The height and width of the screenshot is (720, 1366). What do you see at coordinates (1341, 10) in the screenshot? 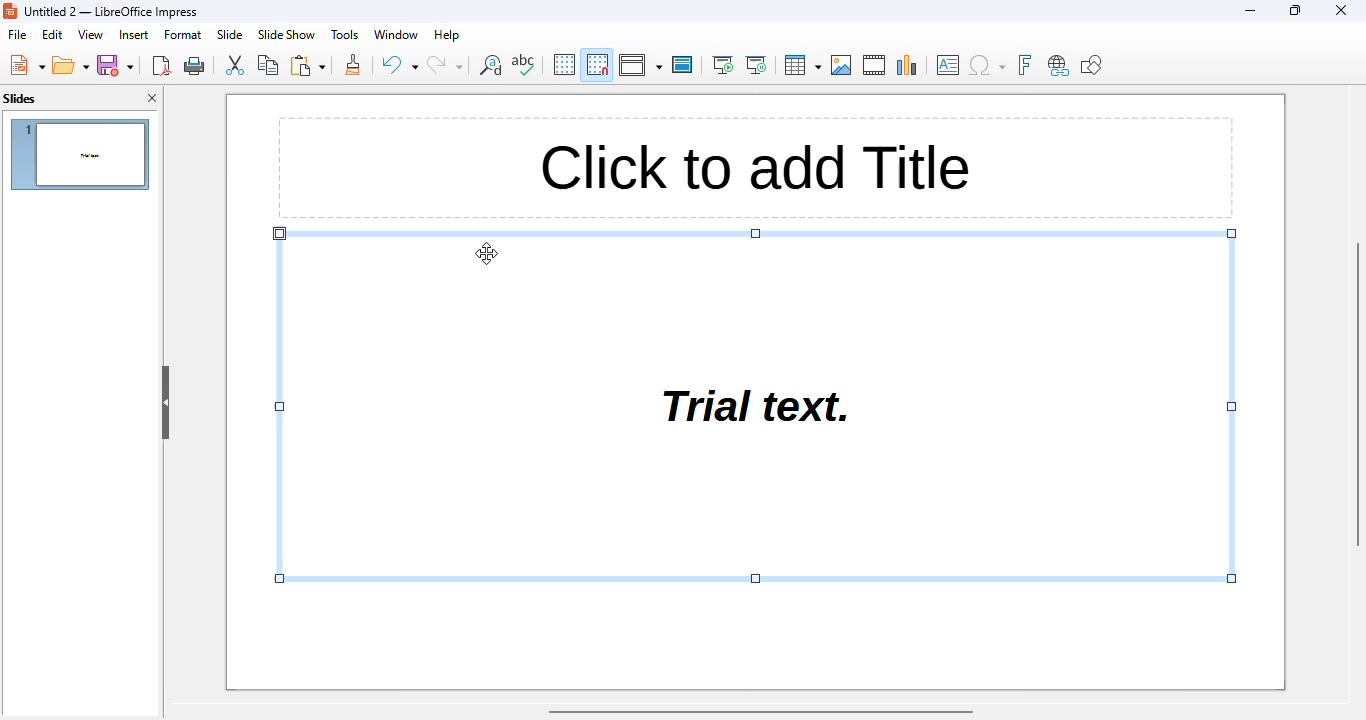
I see `close` at bounding box center [1341, 10].